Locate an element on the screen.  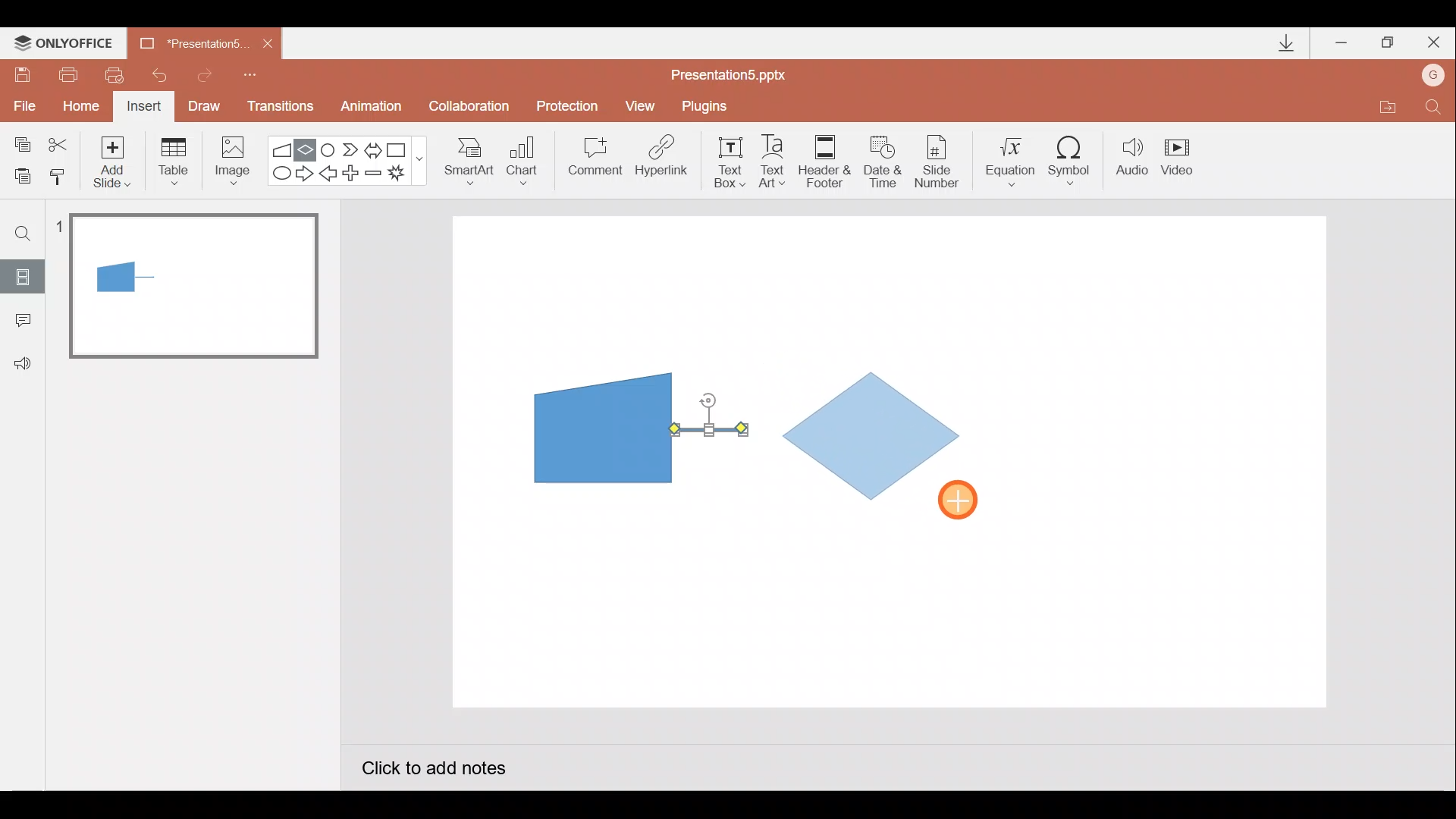
Cursor is located at coordinates (966, 501).